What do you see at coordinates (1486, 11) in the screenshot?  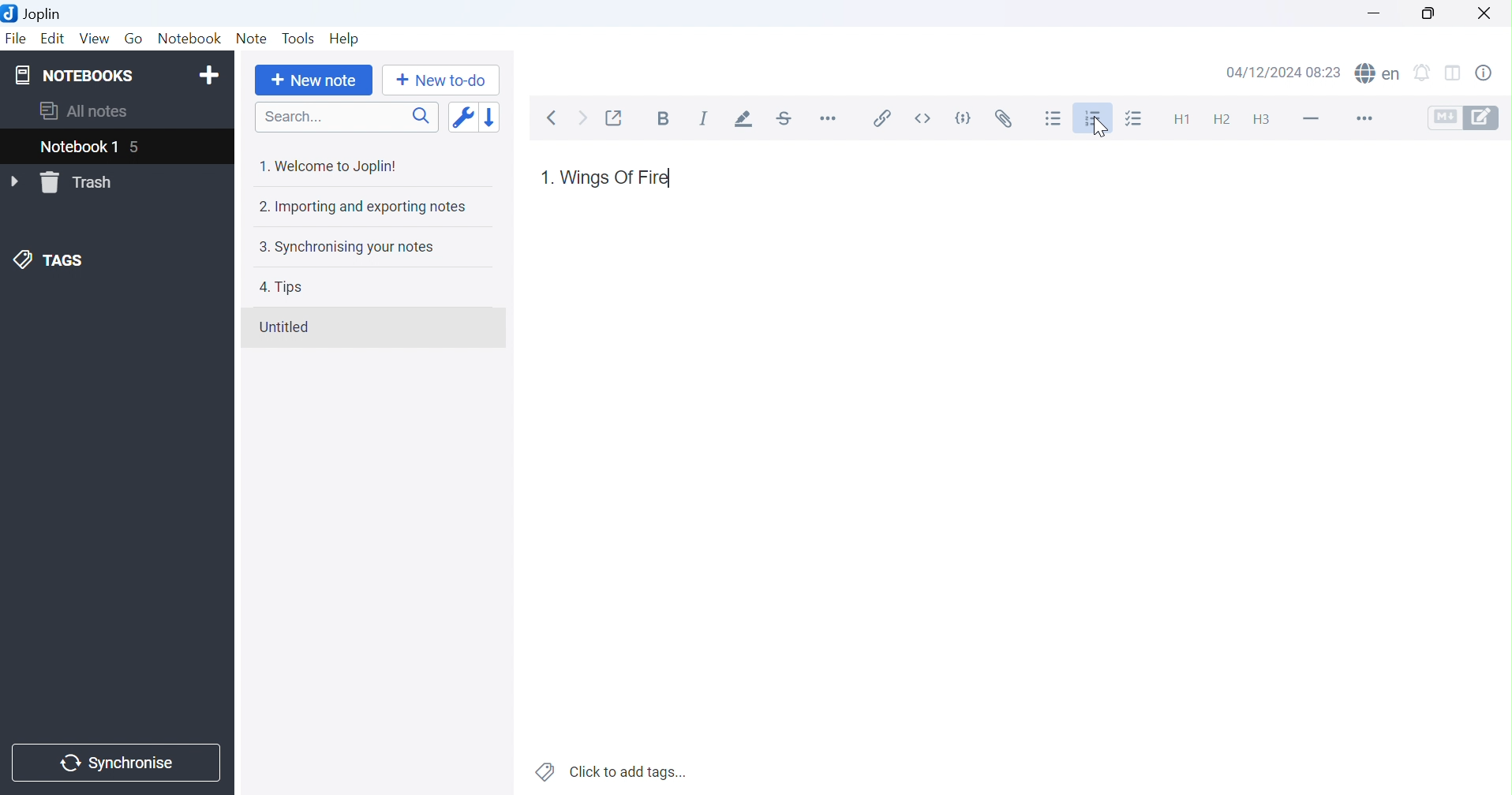 I see `Close` at bounding box center [1486, 11].